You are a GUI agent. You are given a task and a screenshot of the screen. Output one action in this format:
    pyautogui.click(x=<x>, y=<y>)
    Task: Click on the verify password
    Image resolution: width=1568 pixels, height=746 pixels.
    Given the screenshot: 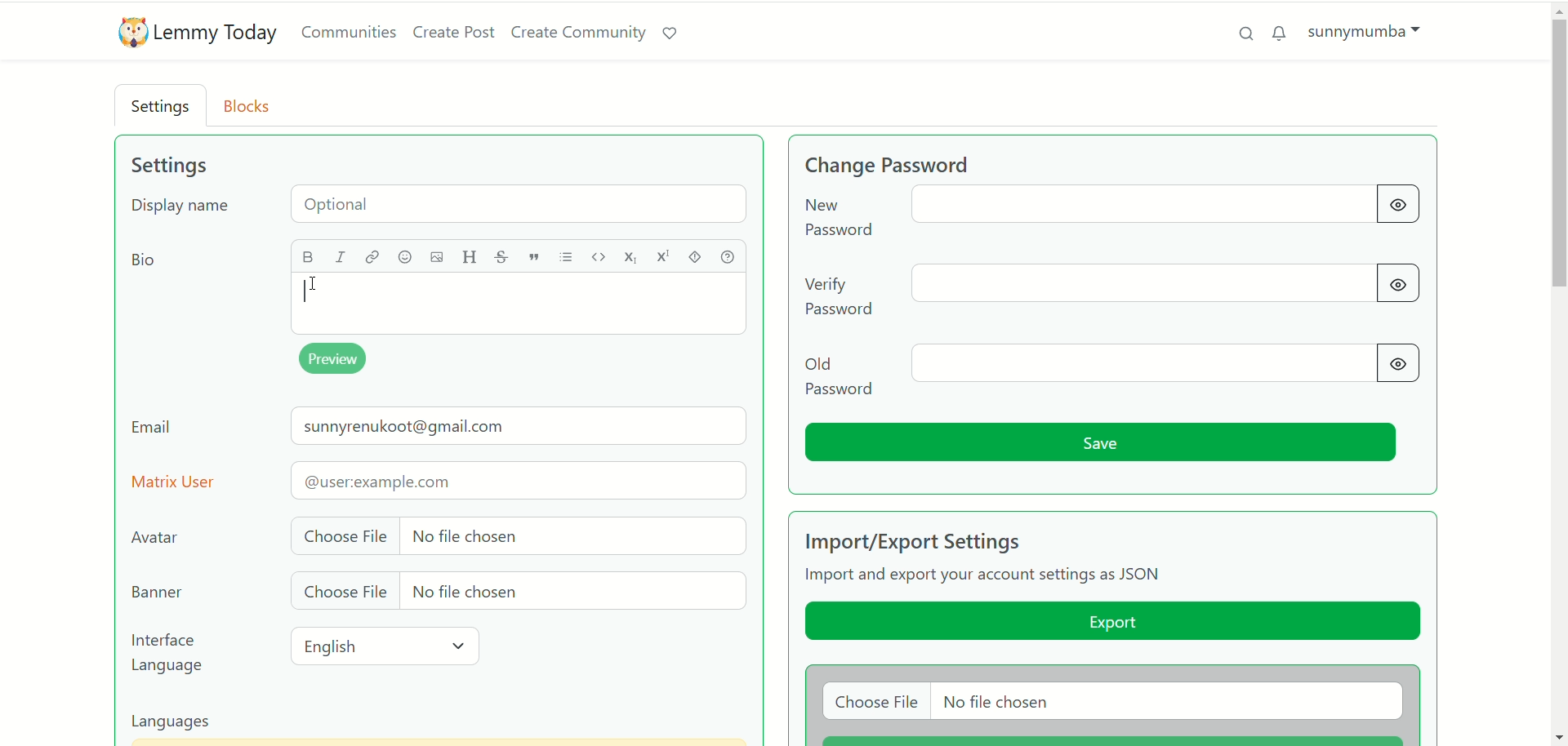 What is the action you would take?
    pyautogui.click(x=1116, y=288)
    